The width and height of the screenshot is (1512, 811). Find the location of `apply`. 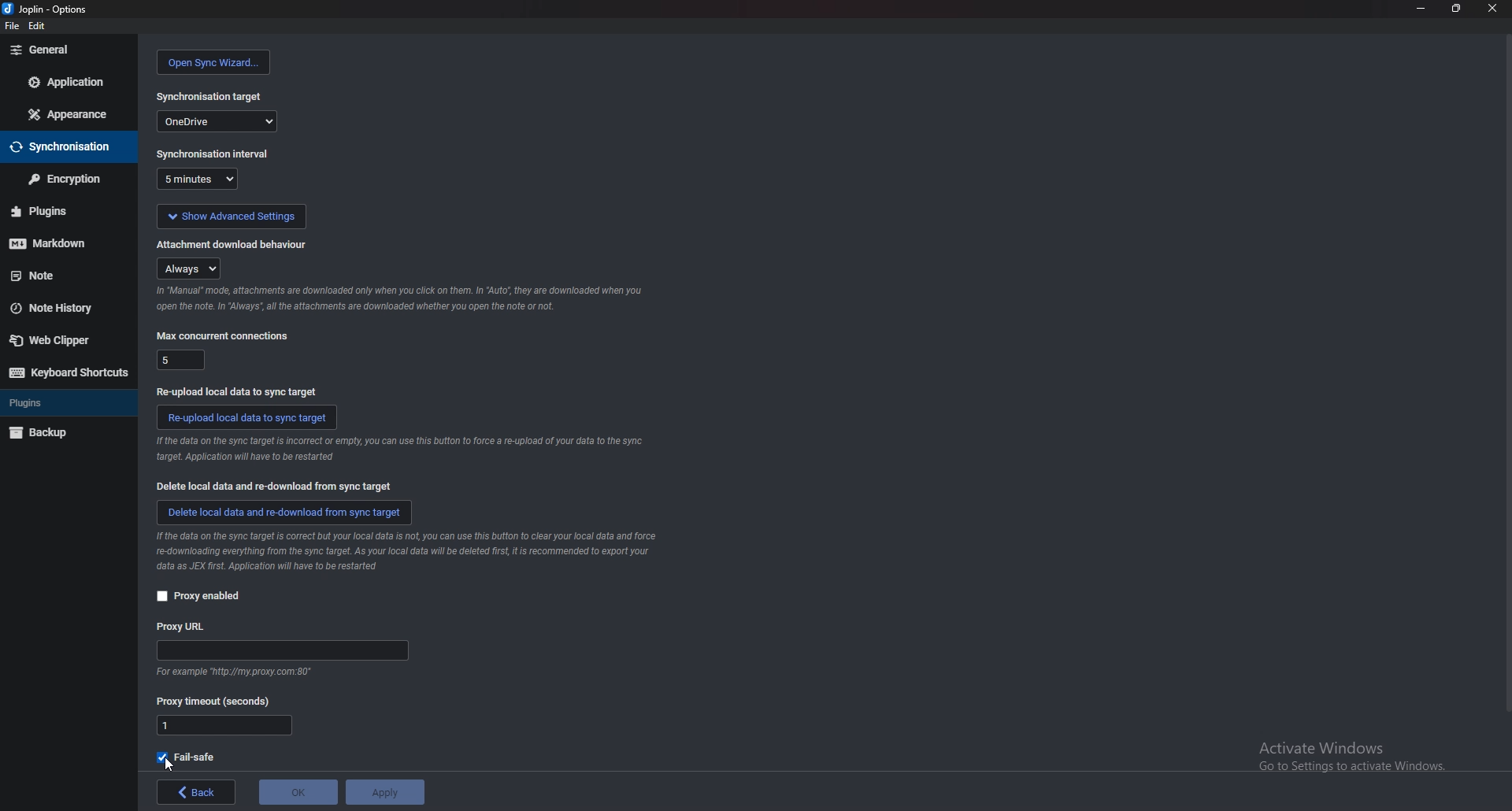

apply is located at coordinates (385, 790).